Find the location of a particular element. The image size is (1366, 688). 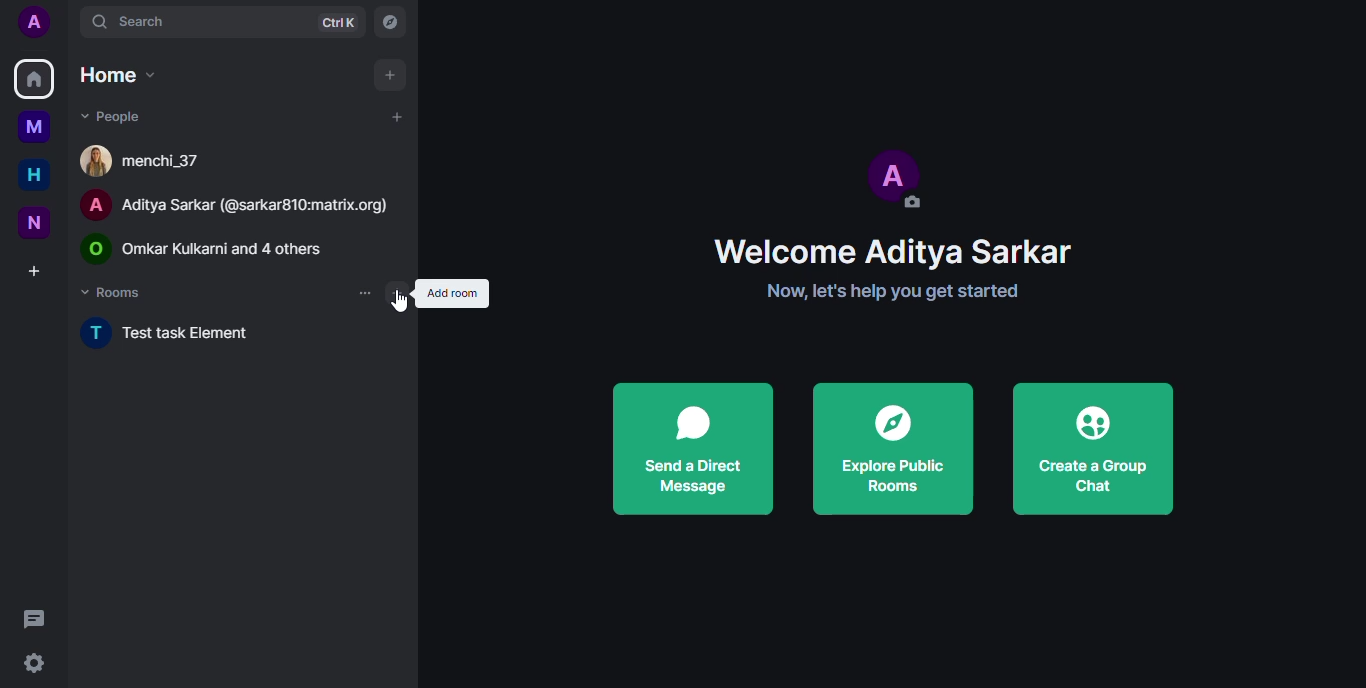

A Aditya Sarkar (@sarkar810:matrix.org) is located at coordinates (238, 203).